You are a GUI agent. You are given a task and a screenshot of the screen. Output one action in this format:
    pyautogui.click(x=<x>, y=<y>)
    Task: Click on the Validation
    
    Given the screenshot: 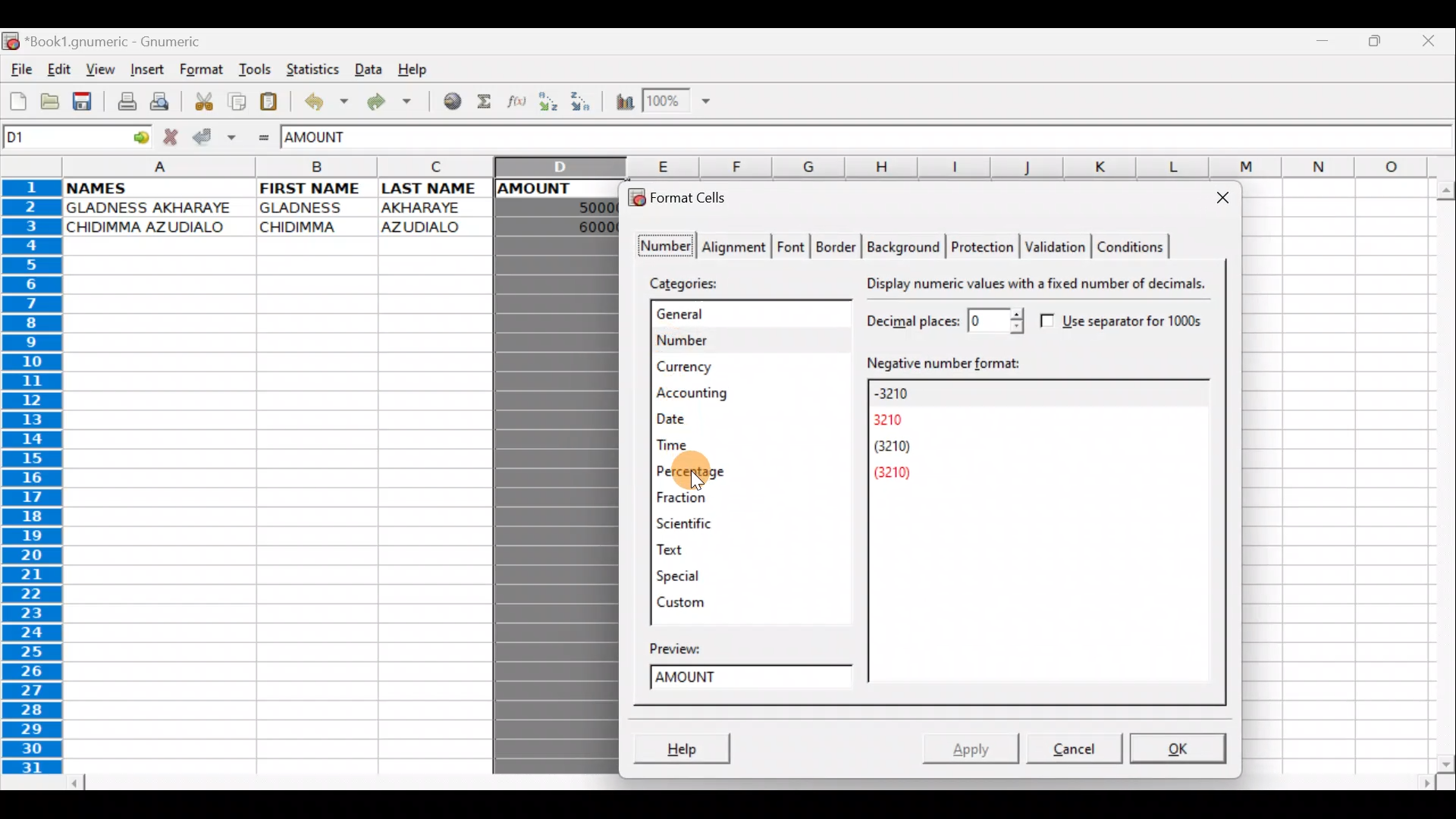 What is the action you would take?
    pyautogui.click(x=1057, y=248)
    